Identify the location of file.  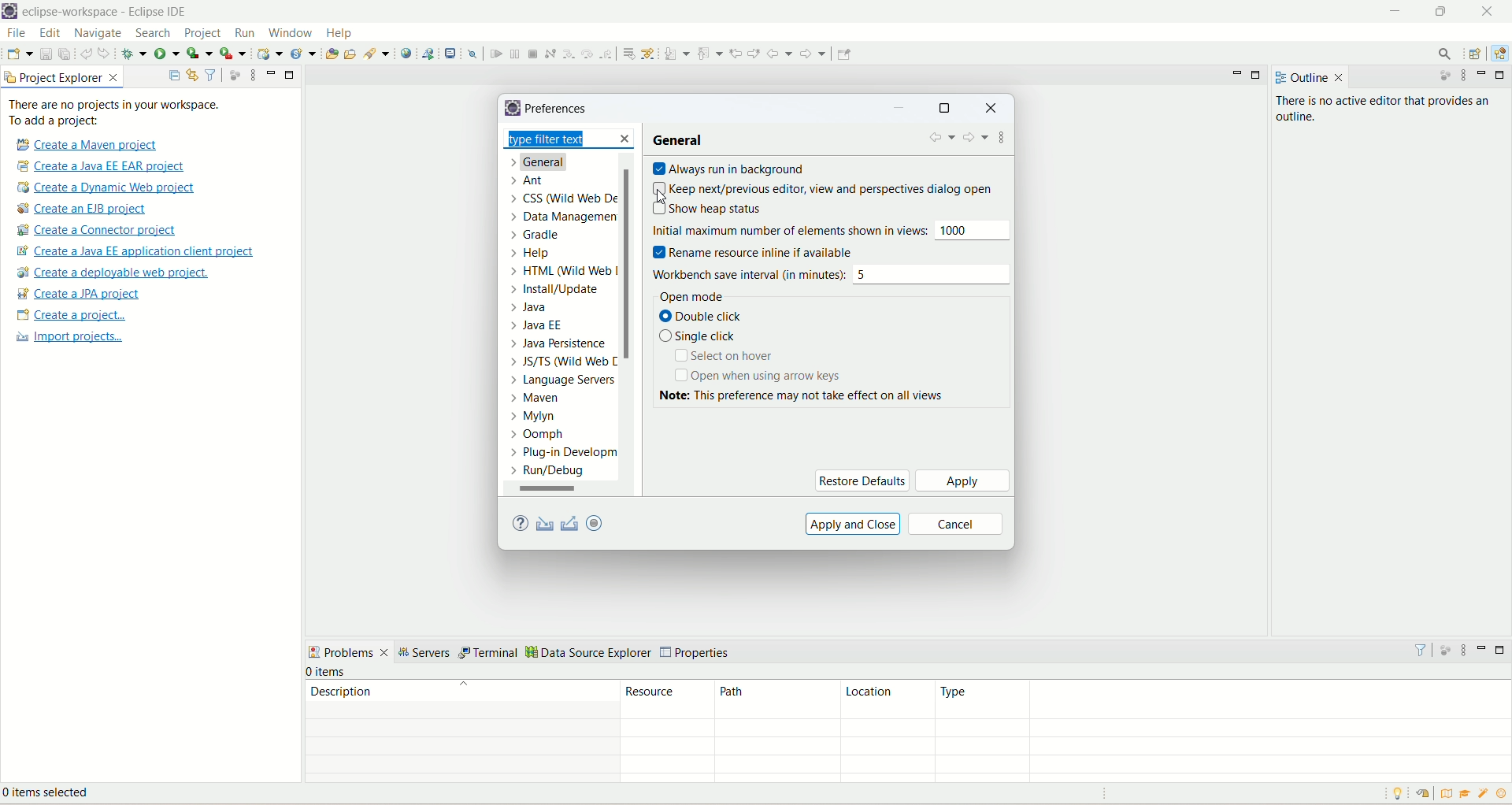
(16, 32).